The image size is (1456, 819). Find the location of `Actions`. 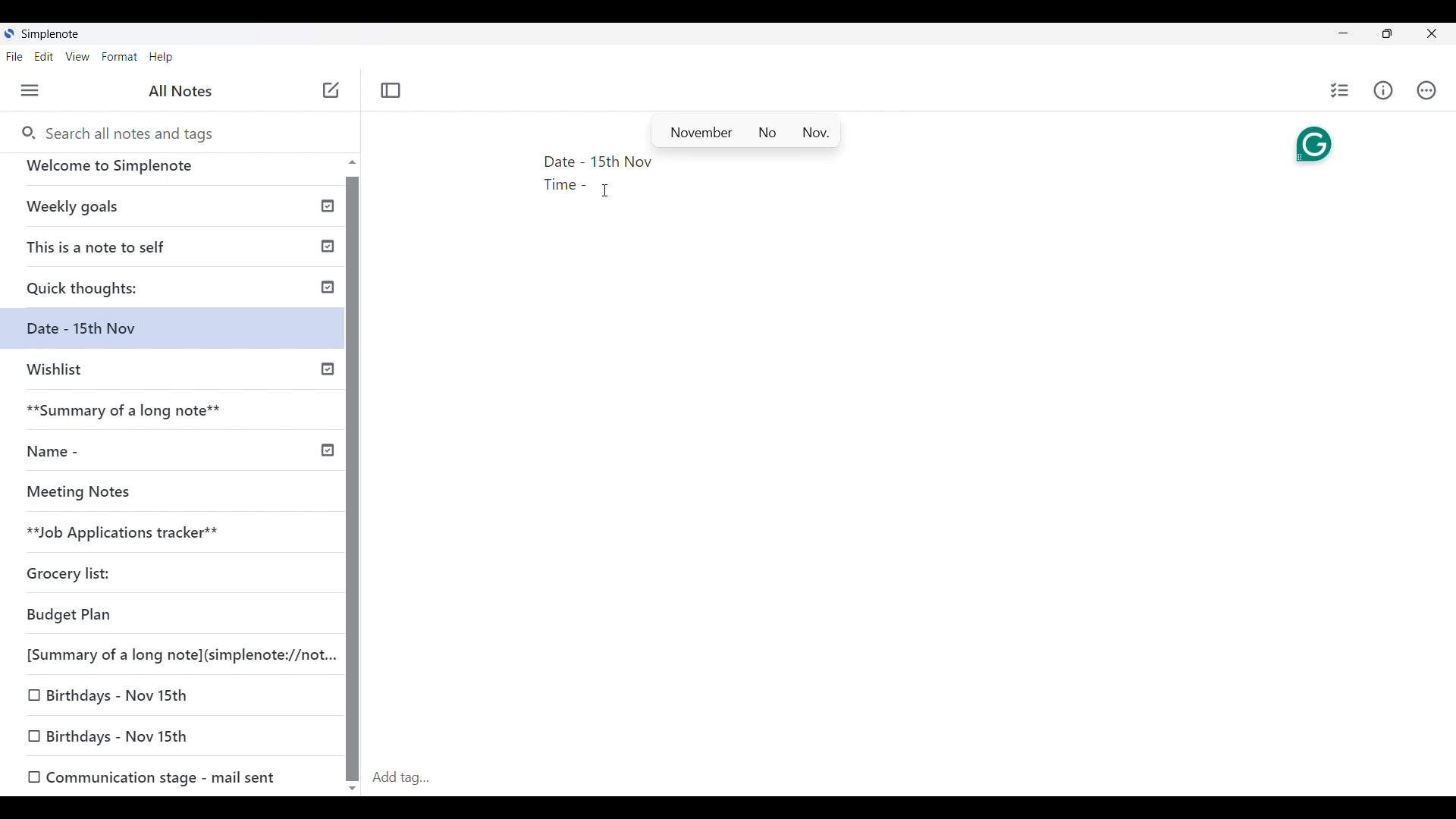

Actions is located at coordinates (1426, 90).